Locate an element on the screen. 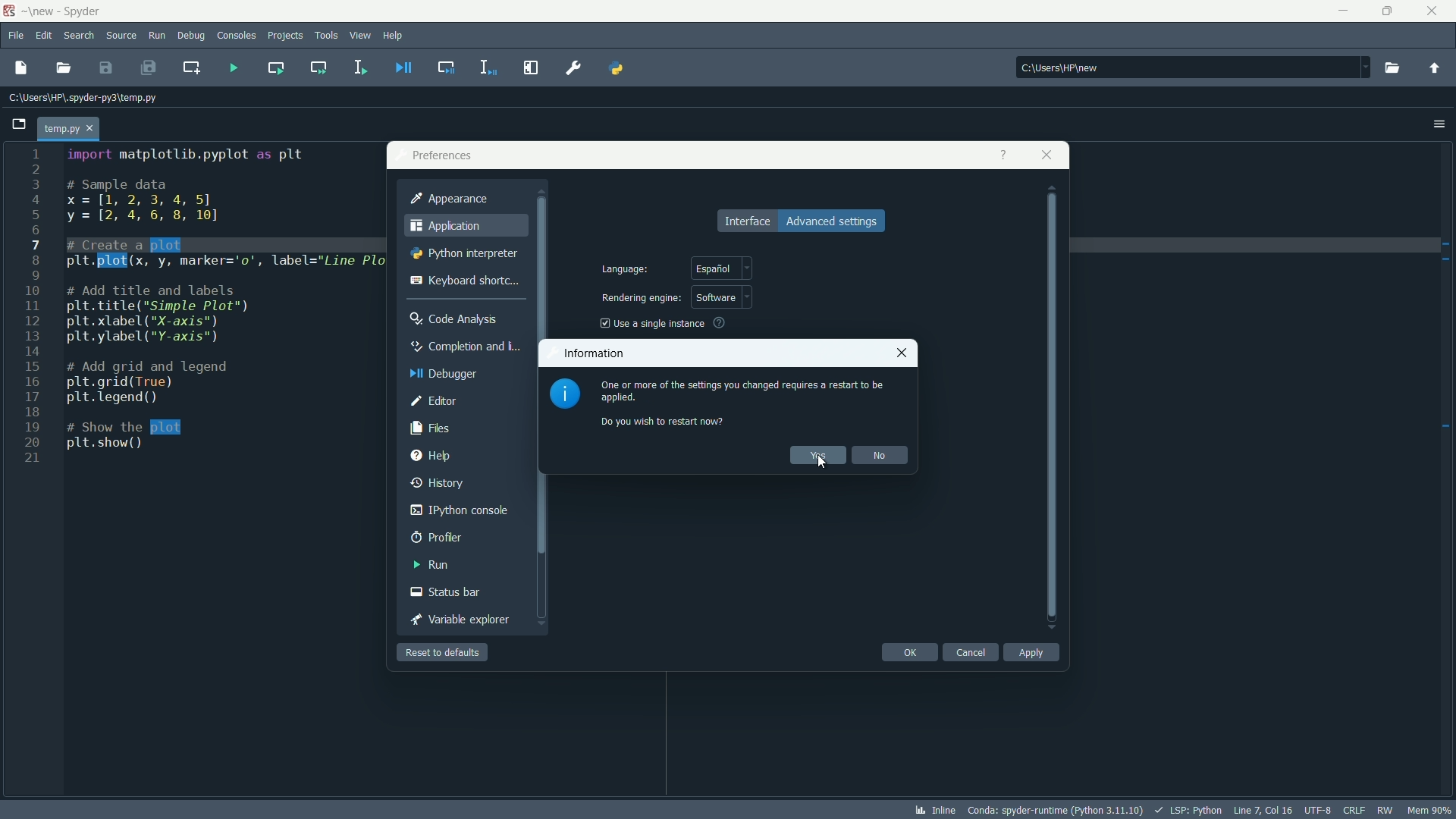 The width and height of the screenshot is (1456, 819). consoles is located at coordinates (239, 36).